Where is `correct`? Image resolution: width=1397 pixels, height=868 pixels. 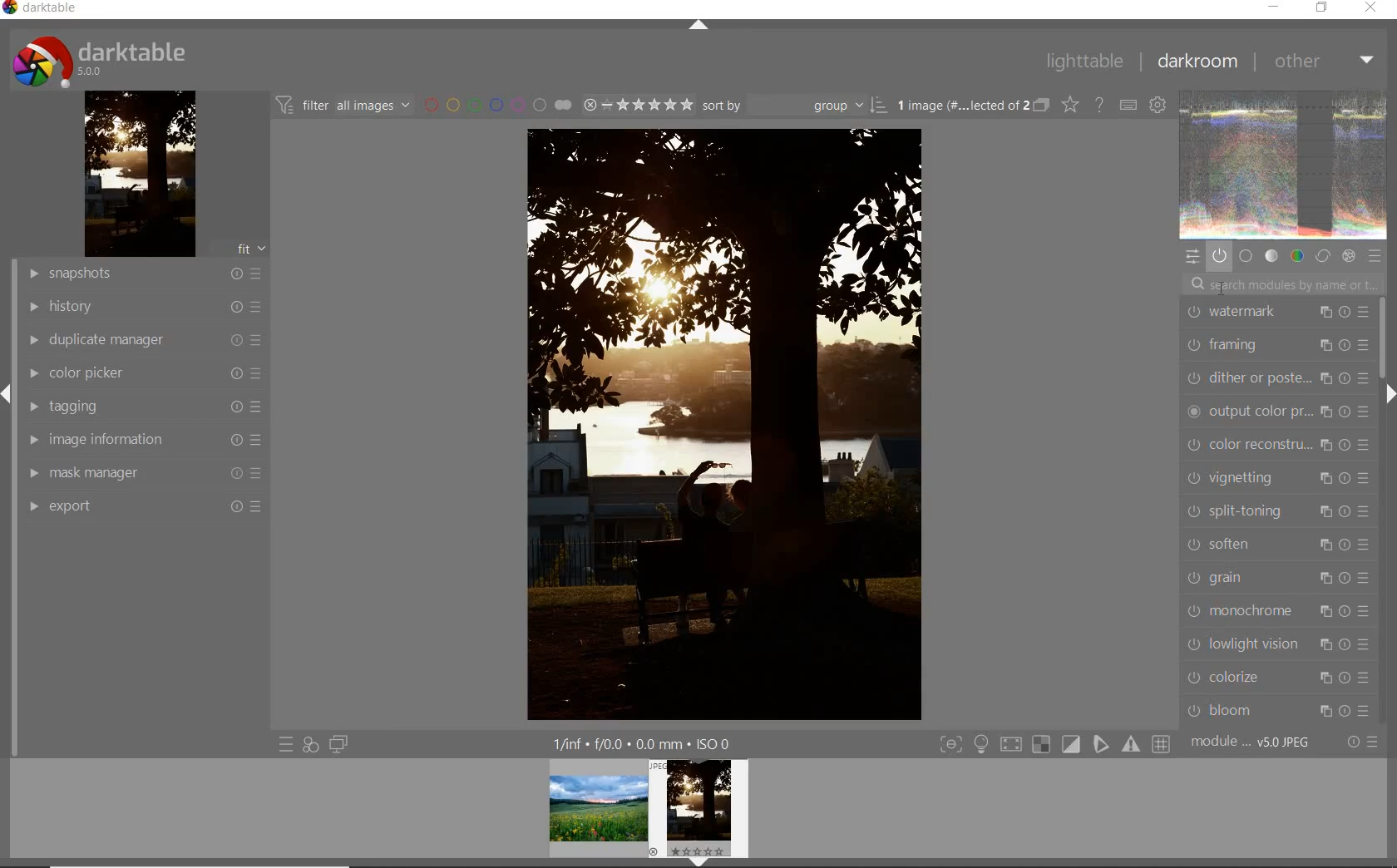
correct is located at coordinates (1322, 256).